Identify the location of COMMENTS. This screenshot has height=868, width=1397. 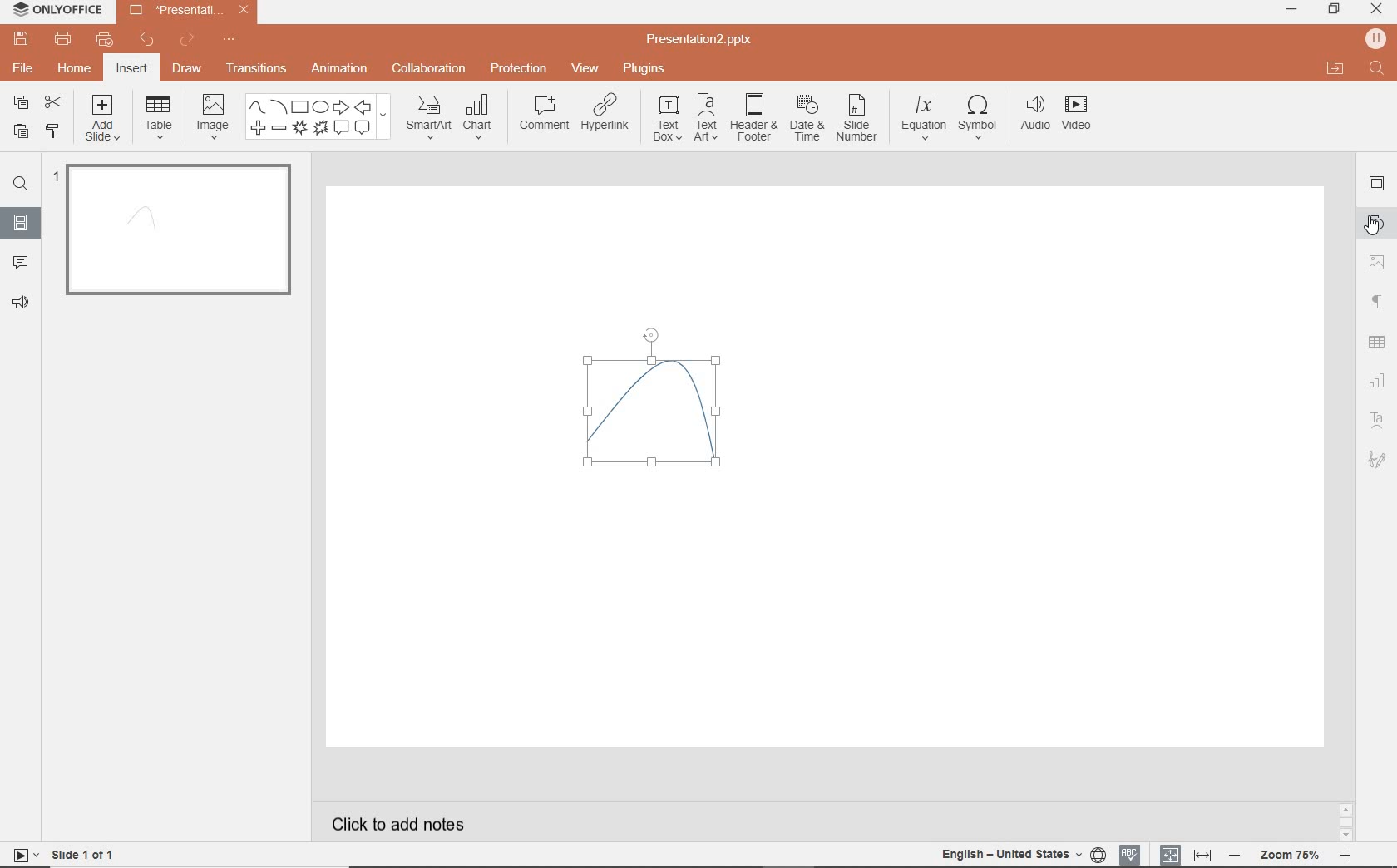
(18, 261).